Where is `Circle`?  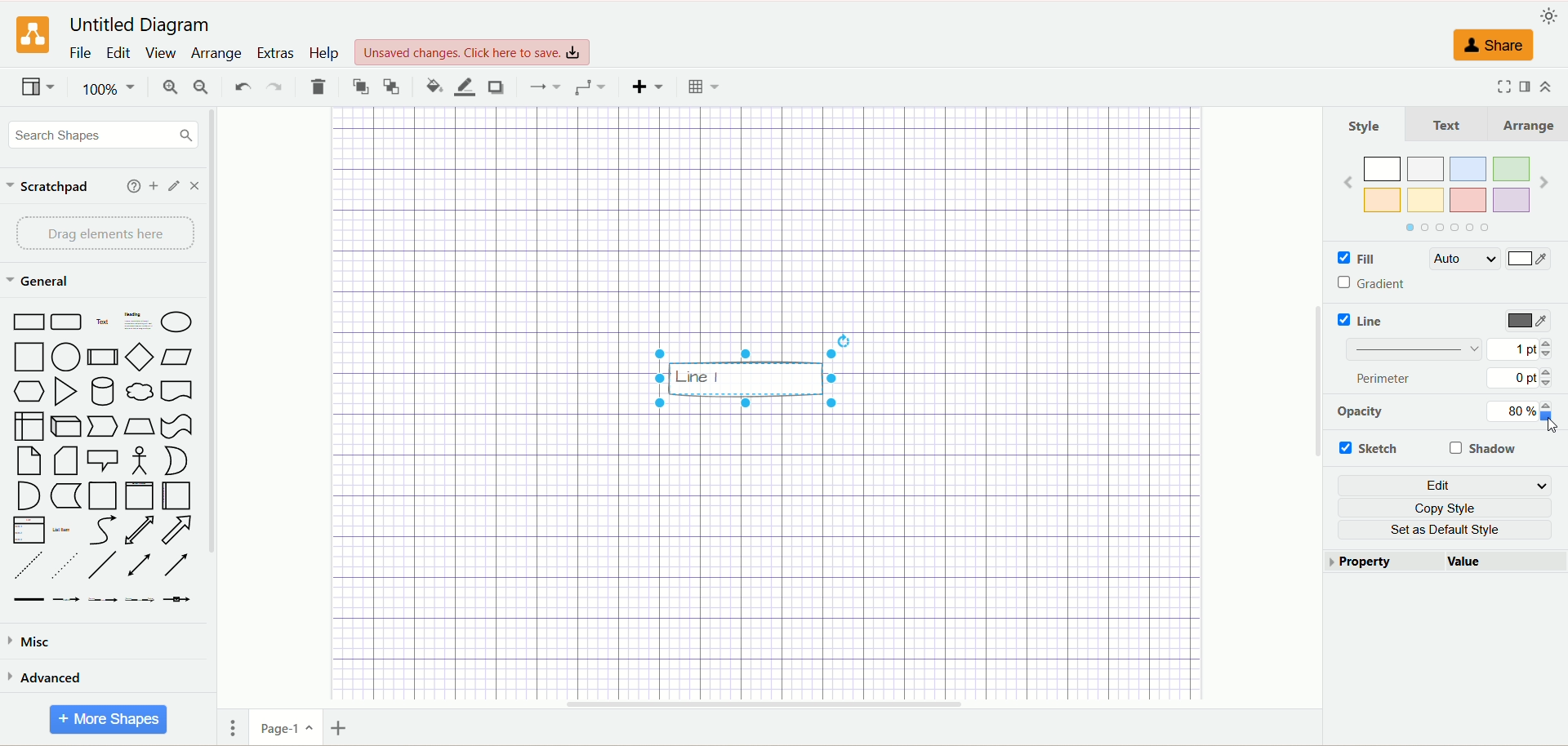
Circle is located at coordinates (66, 357).